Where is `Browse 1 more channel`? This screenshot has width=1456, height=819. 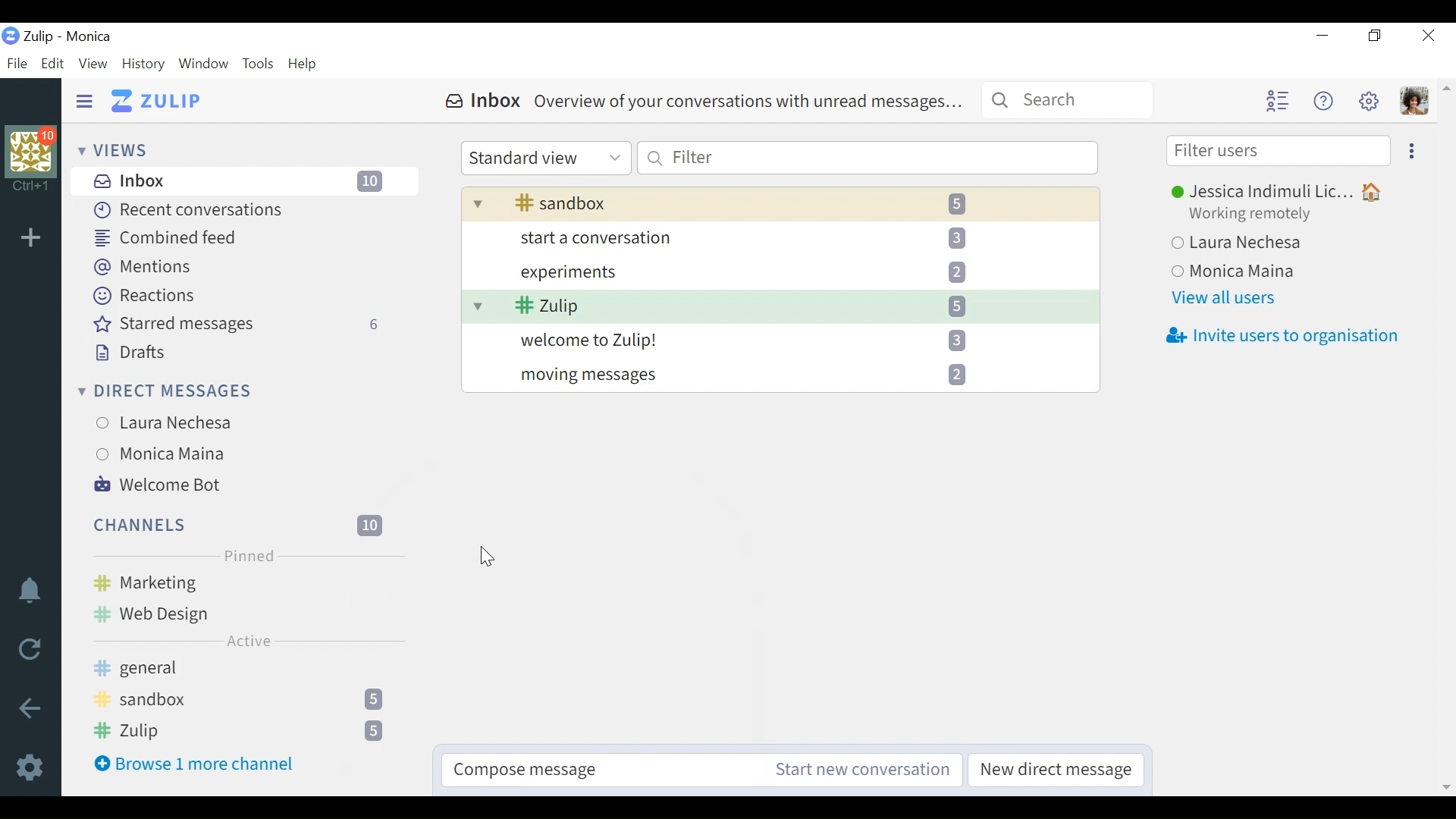
Browse 1 more channel is located at coordinates (202, 764).